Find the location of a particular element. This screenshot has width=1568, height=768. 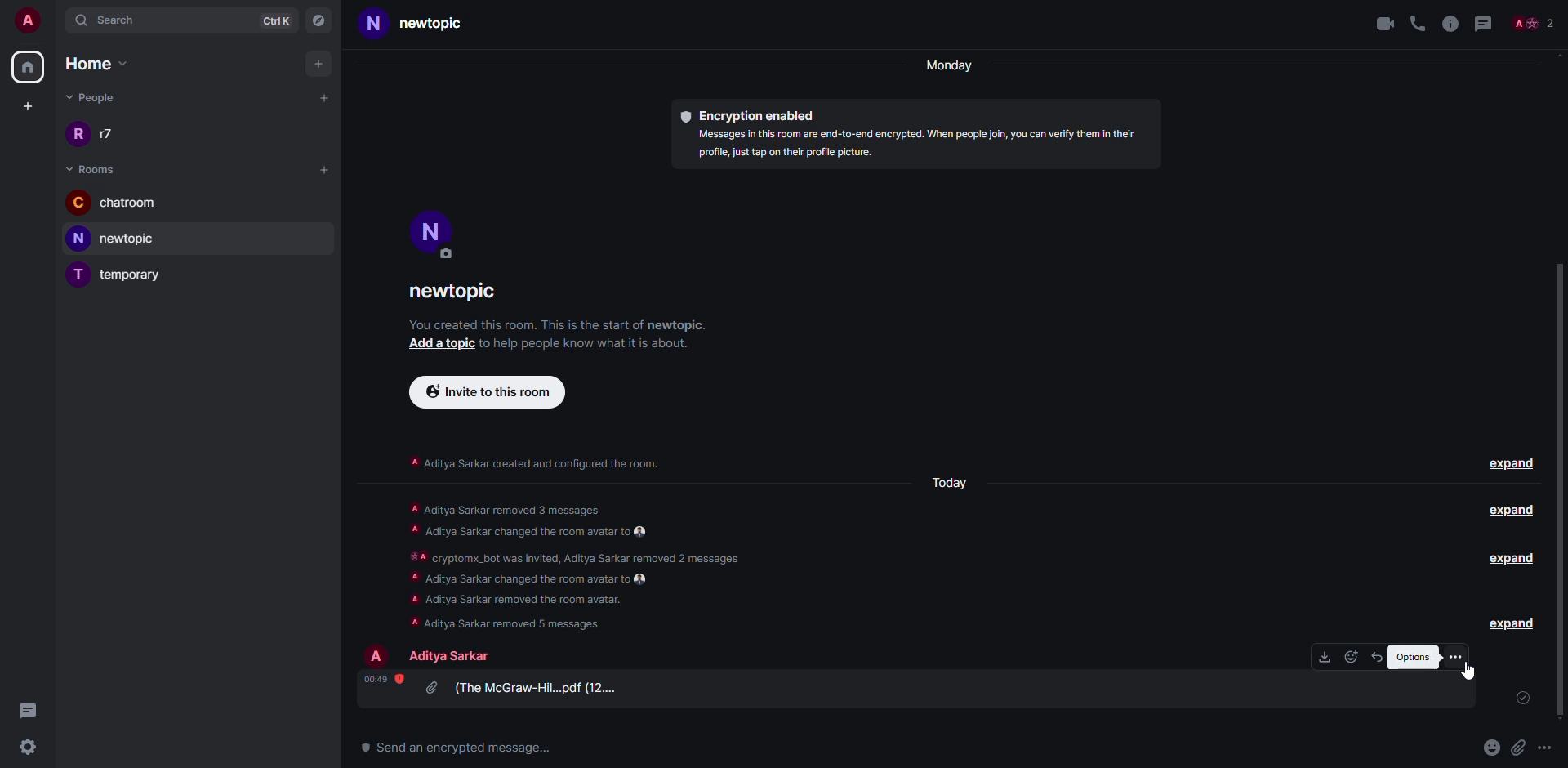

video call is located at coordinates (1383, 23).